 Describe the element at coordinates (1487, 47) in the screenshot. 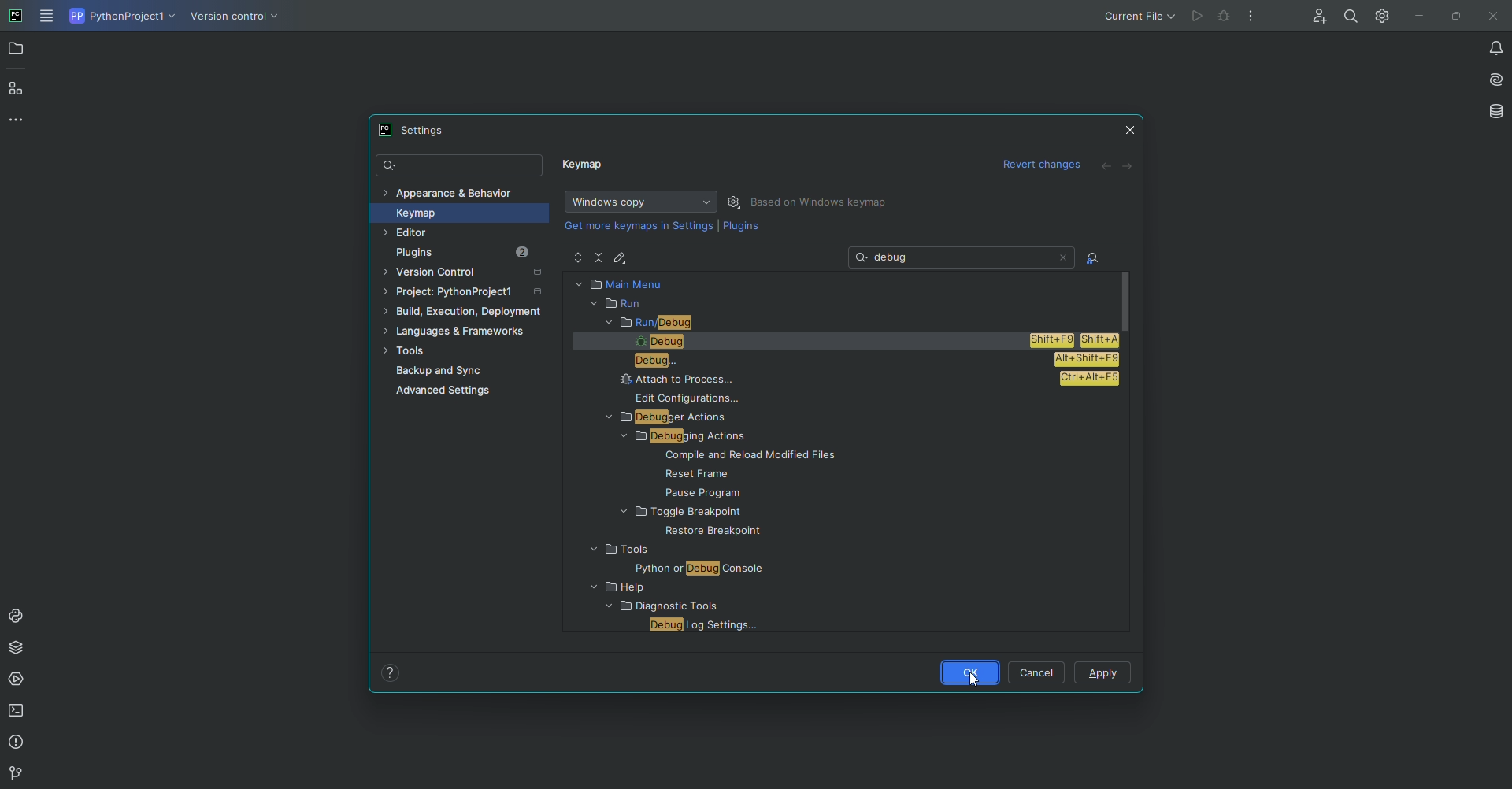

I see `Notifications` at that location.